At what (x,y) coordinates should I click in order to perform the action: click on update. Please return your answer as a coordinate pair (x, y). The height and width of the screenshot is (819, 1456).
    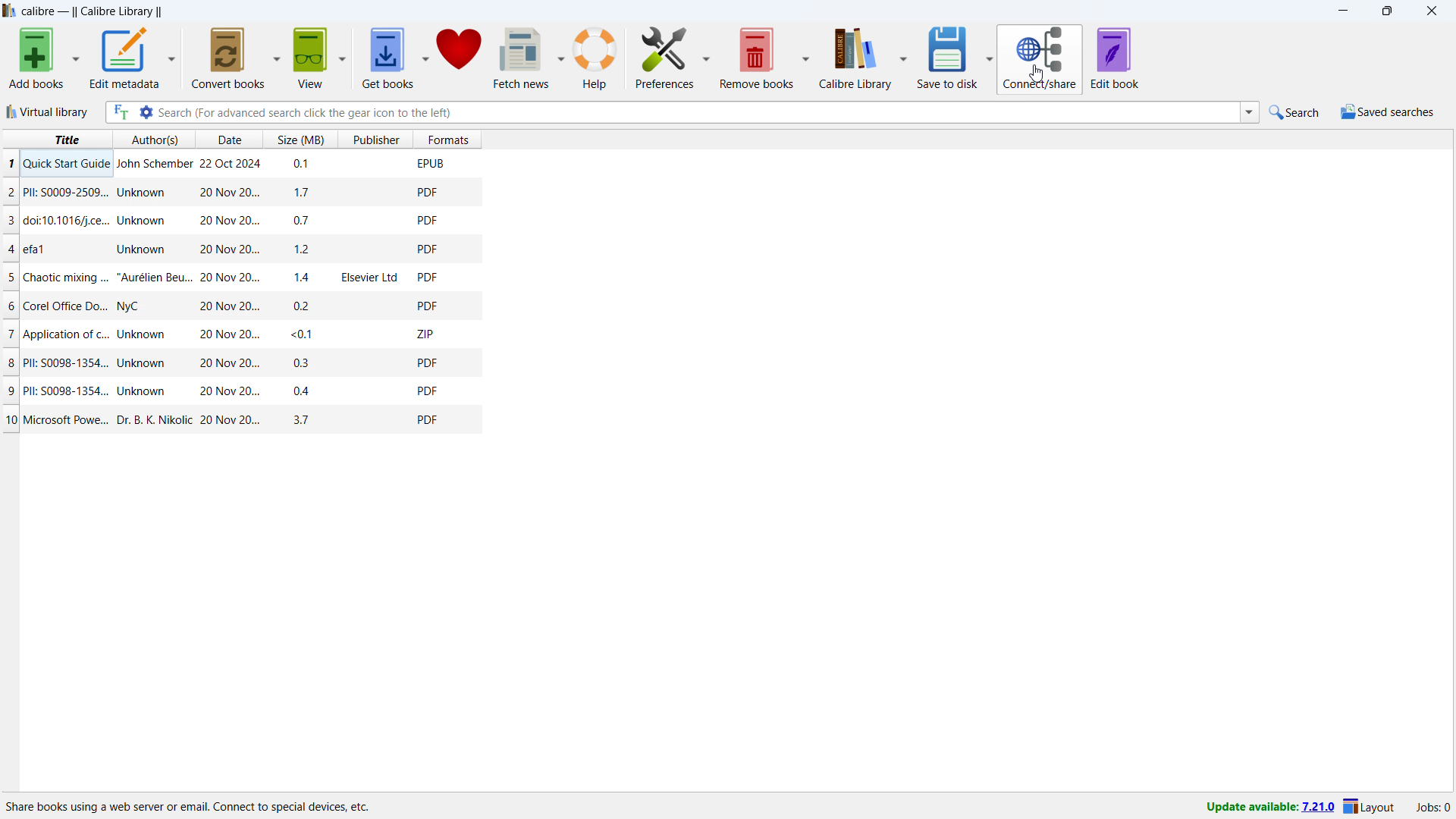
    Looking at the image, I should click on (1268, 809).